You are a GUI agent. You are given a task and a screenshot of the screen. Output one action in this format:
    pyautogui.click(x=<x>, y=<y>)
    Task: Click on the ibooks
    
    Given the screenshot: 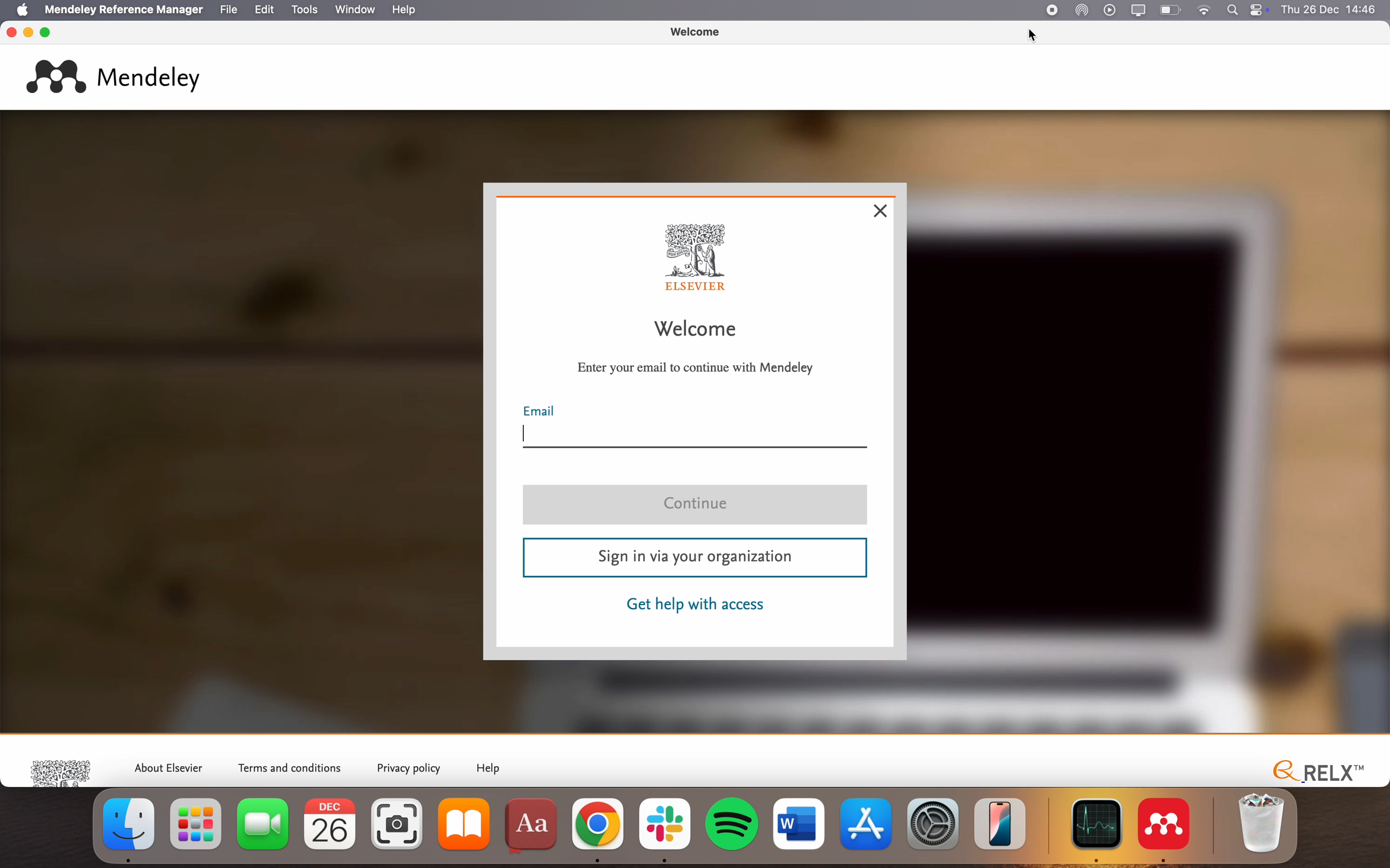 What is the action you would take?
    pyautogui.click(x=468, y=832)
    